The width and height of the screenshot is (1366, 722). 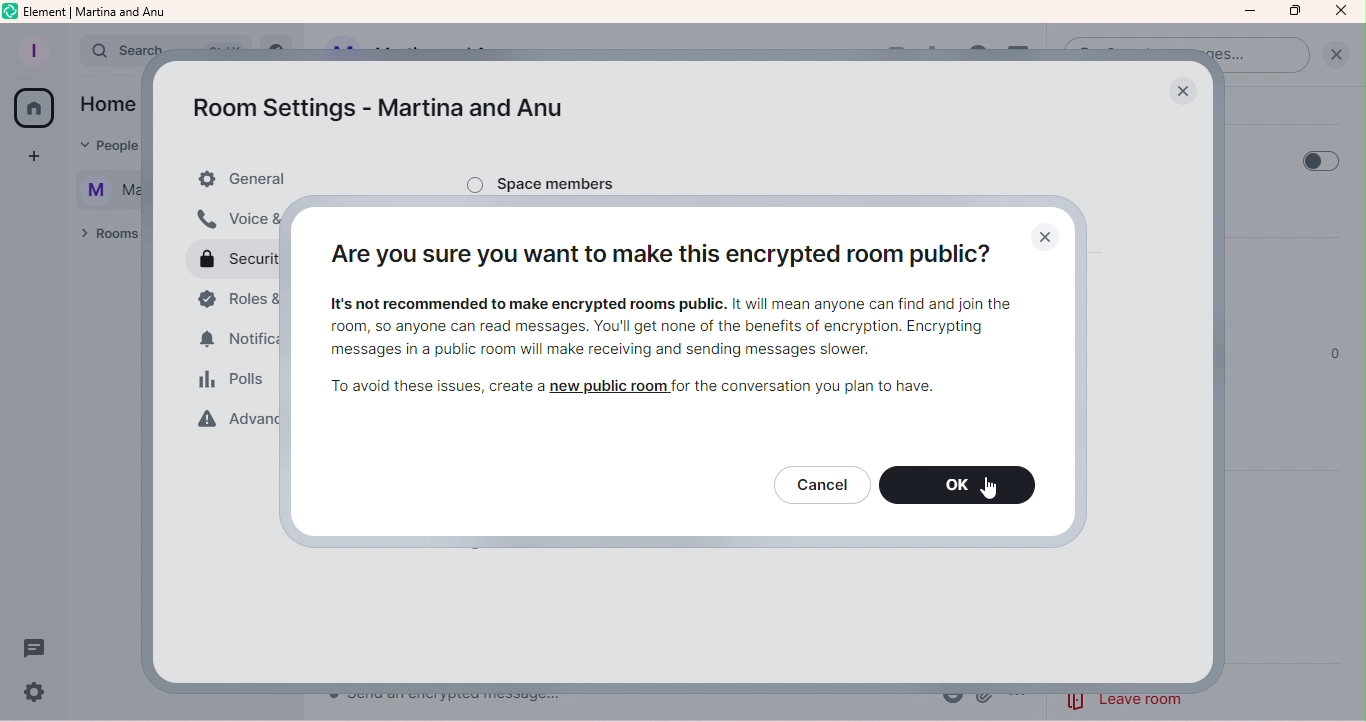 What do you see at coordinates (123, 47) in the screenshot?
I see `search` at bounding box center [123, 47].